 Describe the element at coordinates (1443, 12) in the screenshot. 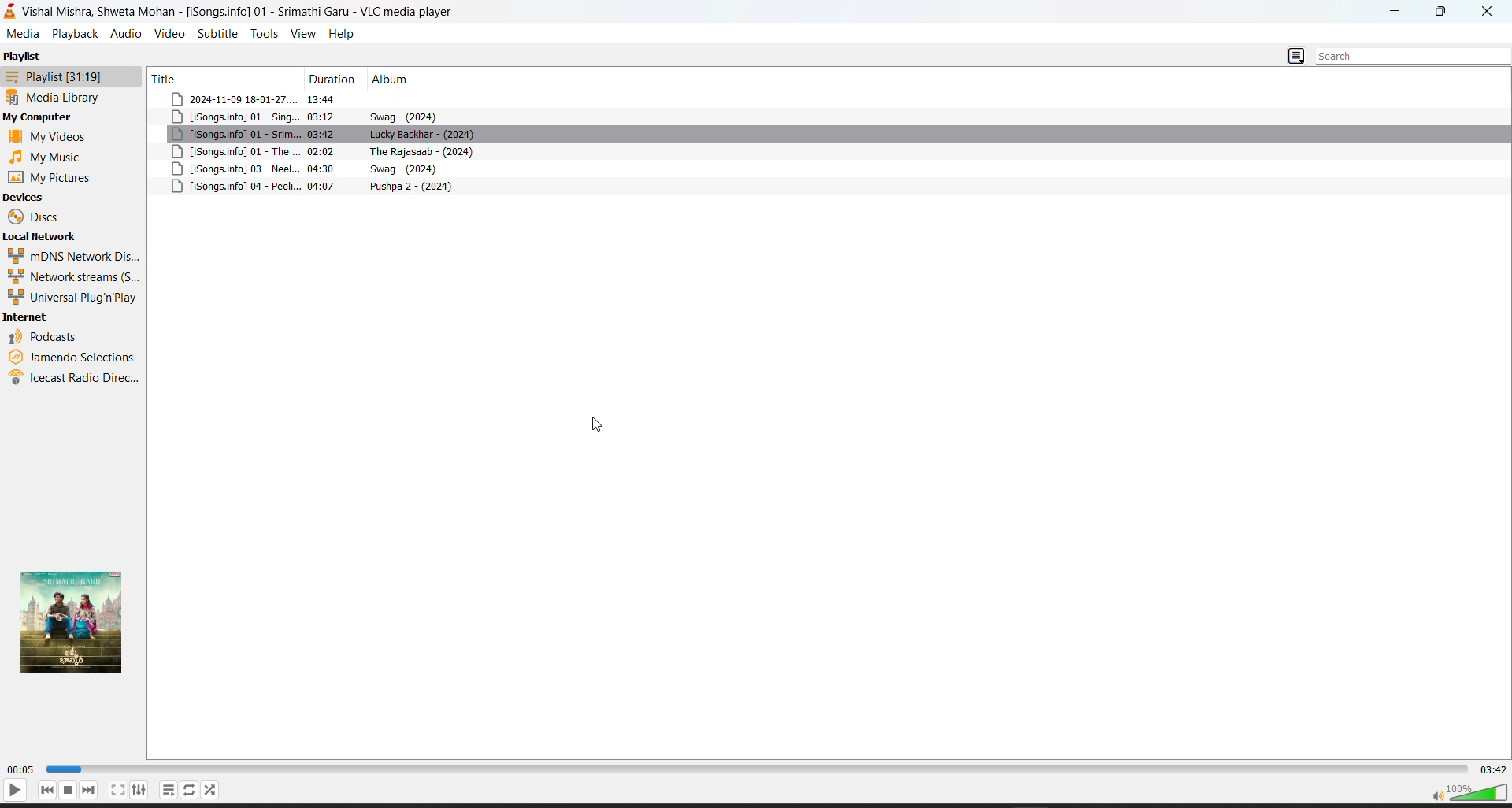

I see `maximize` at that location.